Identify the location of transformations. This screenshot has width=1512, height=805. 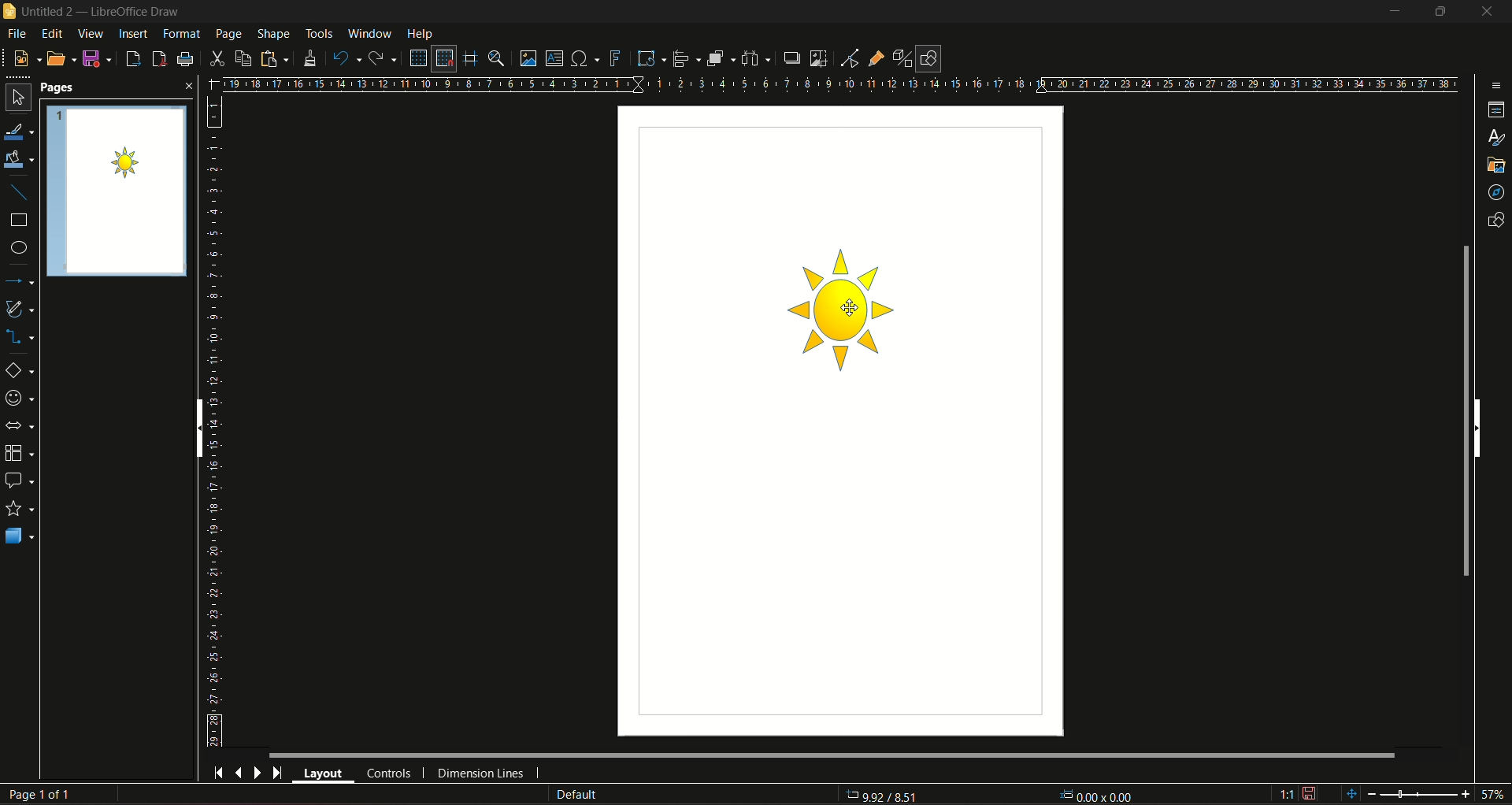
(648, 58).